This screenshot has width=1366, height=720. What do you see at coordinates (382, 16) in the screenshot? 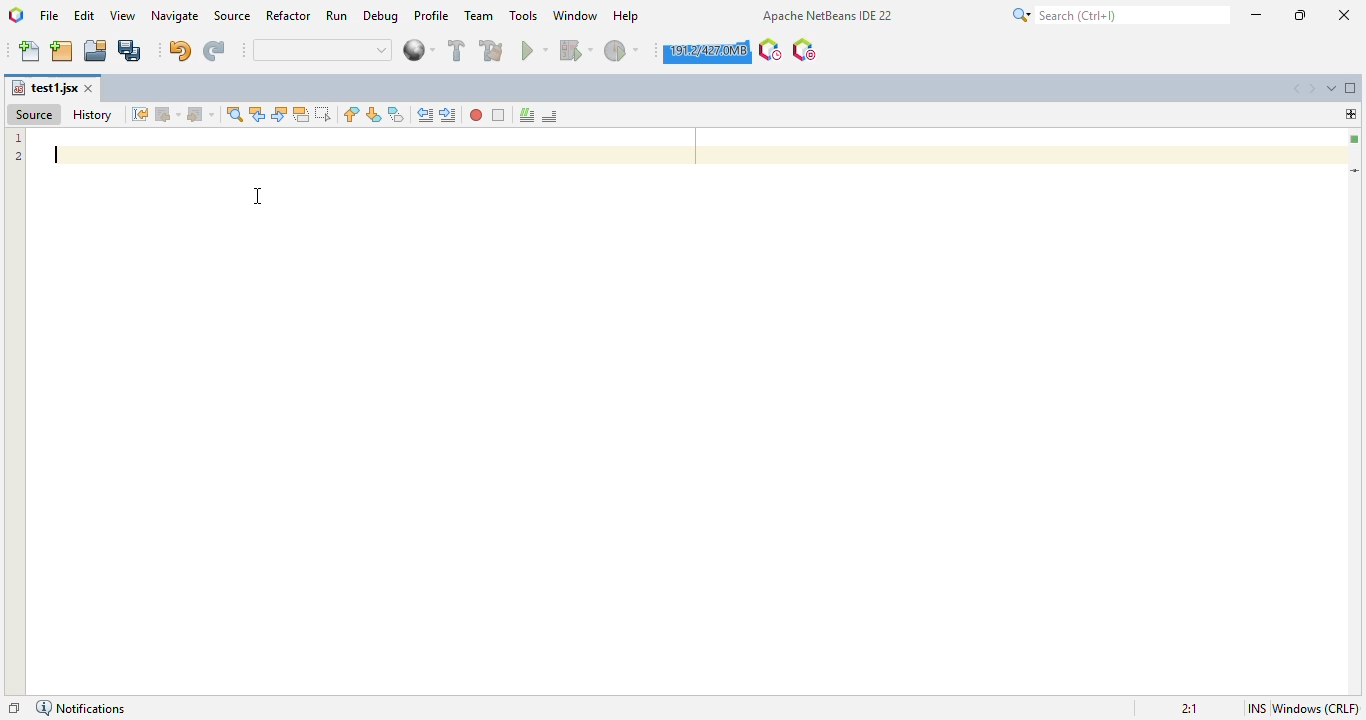
I see `debug` at bounding box center [382, 16].